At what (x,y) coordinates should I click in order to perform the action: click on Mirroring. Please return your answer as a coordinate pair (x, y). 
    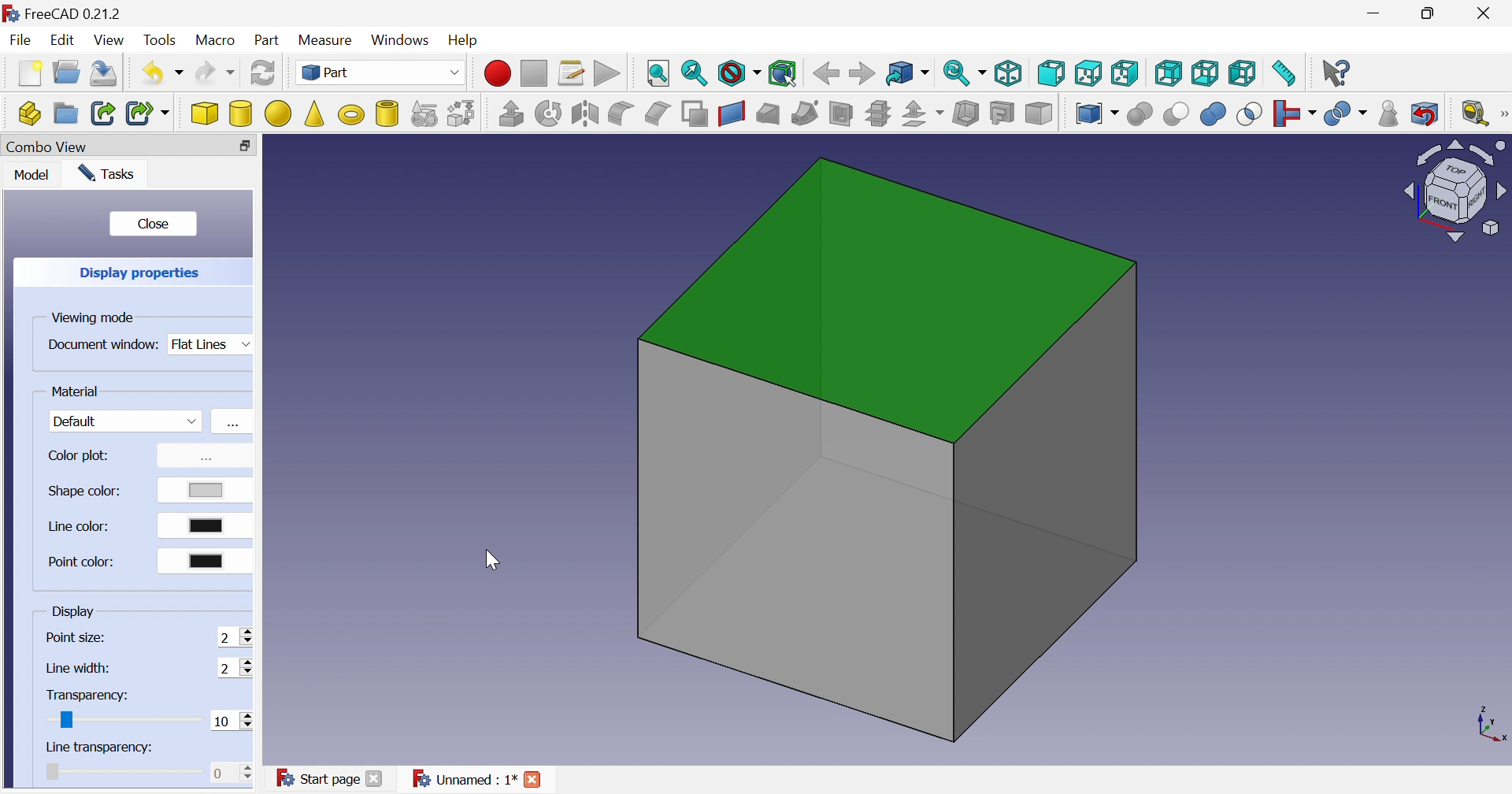
    Looking at the image, I should click on (584, 113).